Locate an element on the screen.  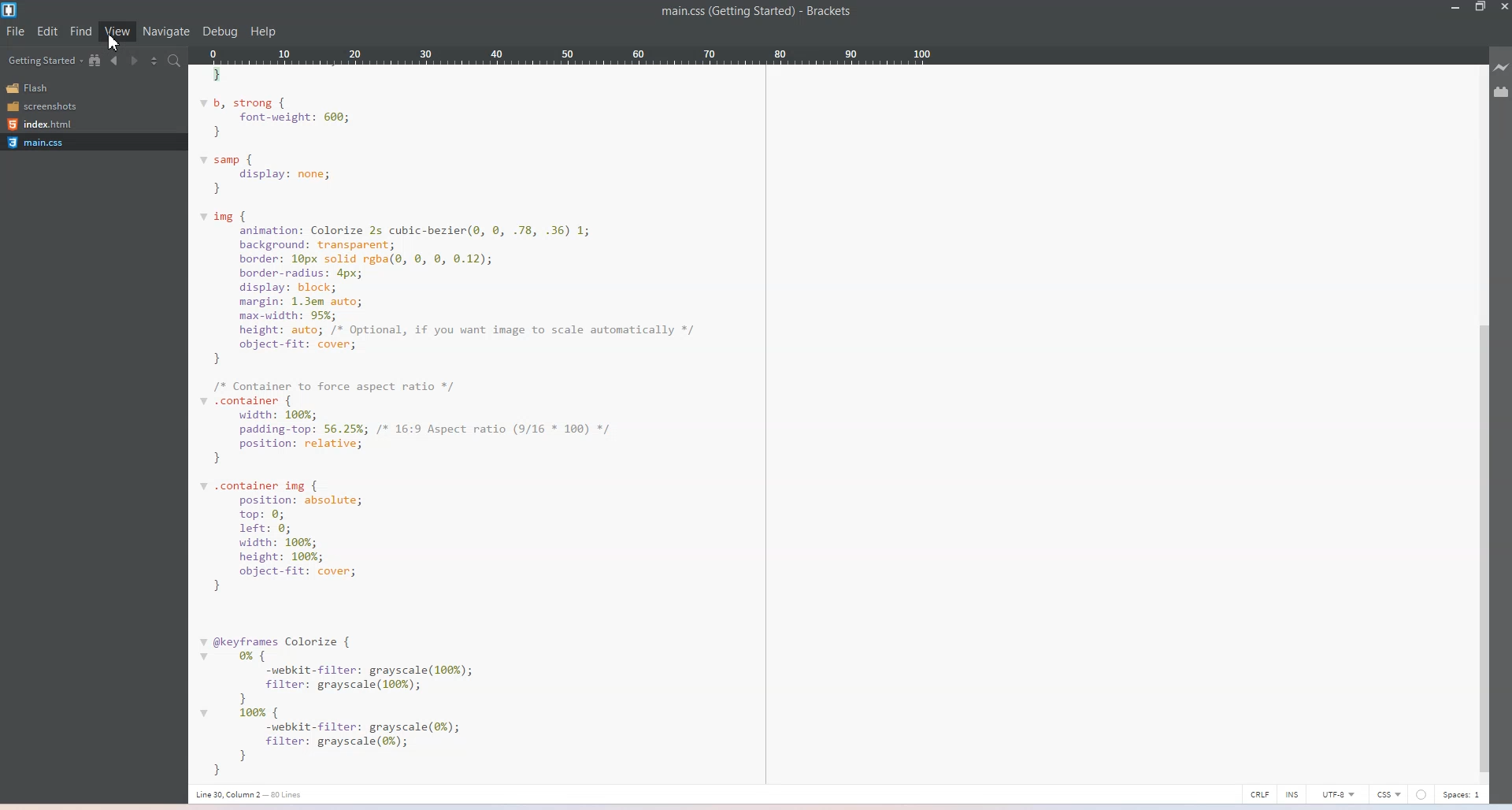
File is located at coordinates (15, 32).